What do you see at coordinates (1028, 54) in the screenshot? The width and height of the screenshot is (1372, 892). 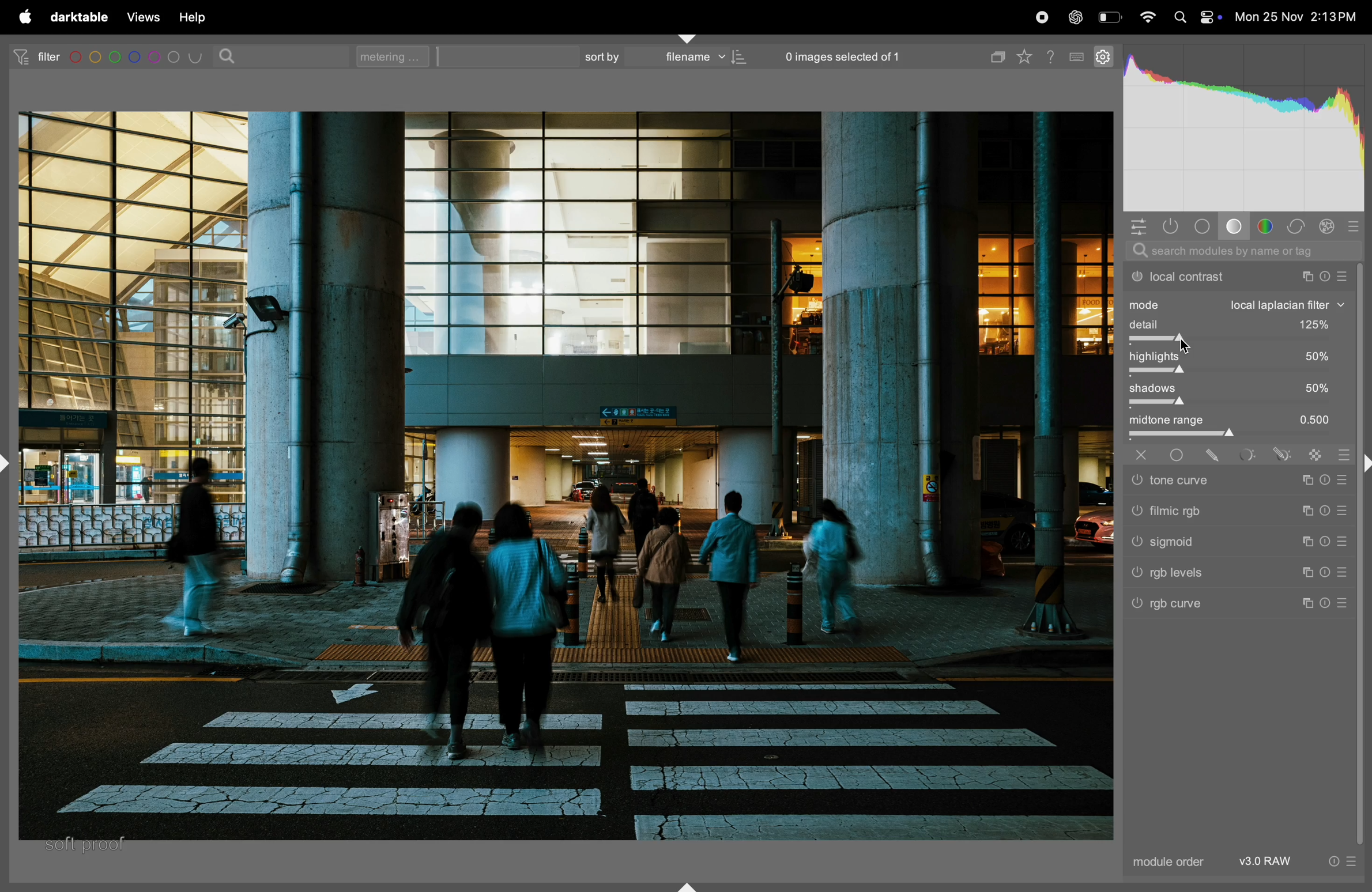 I see `favourites` at bounding box center [1028, 54].